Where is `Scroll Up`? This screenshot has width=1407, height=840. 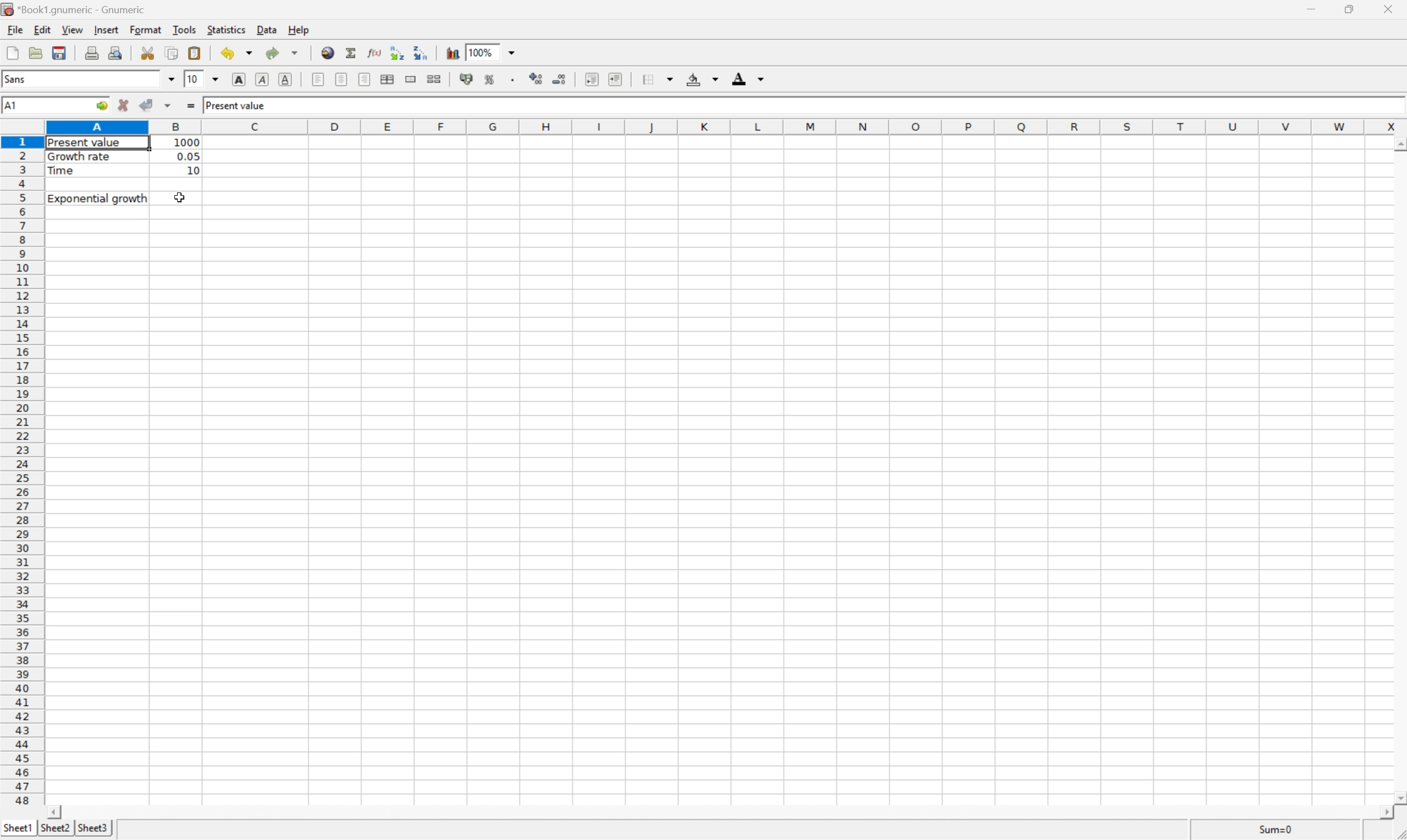 Scroll Up is located at coordinates (1397, 146).